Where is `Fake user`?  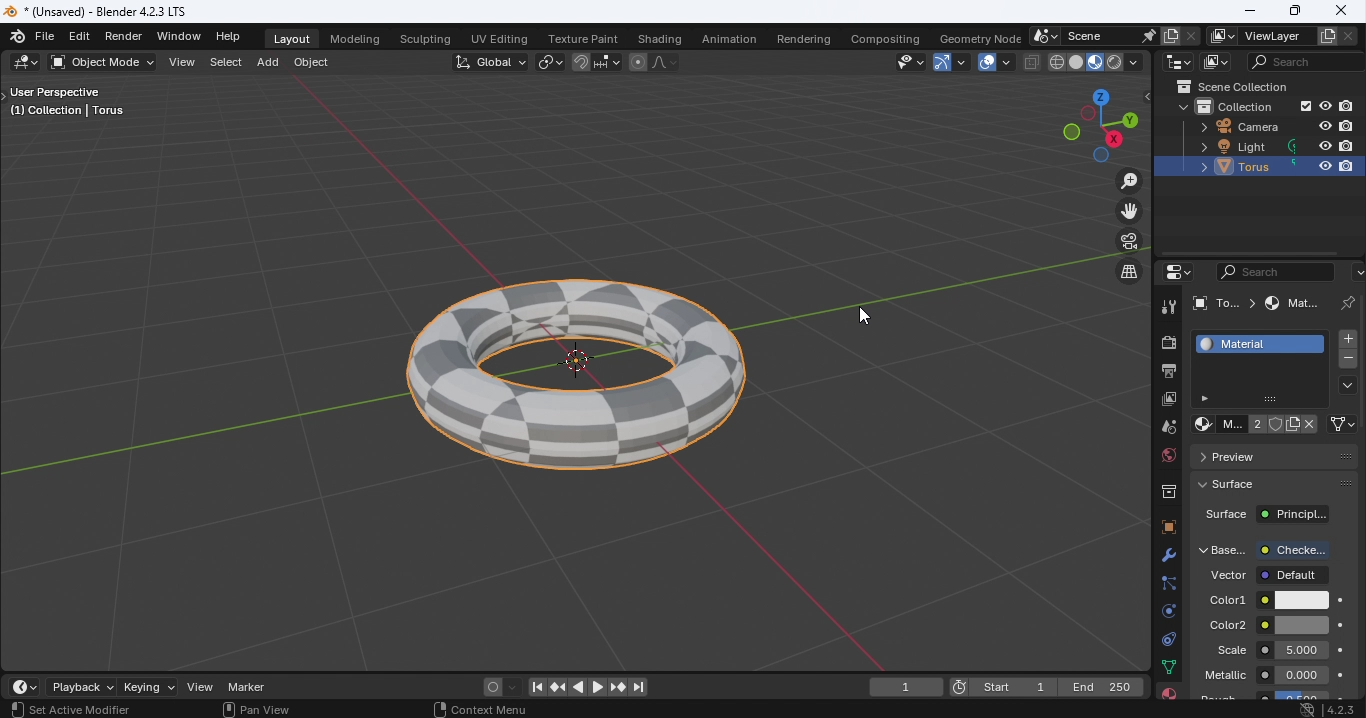 Fake user is located at coordinates (1275, 424).